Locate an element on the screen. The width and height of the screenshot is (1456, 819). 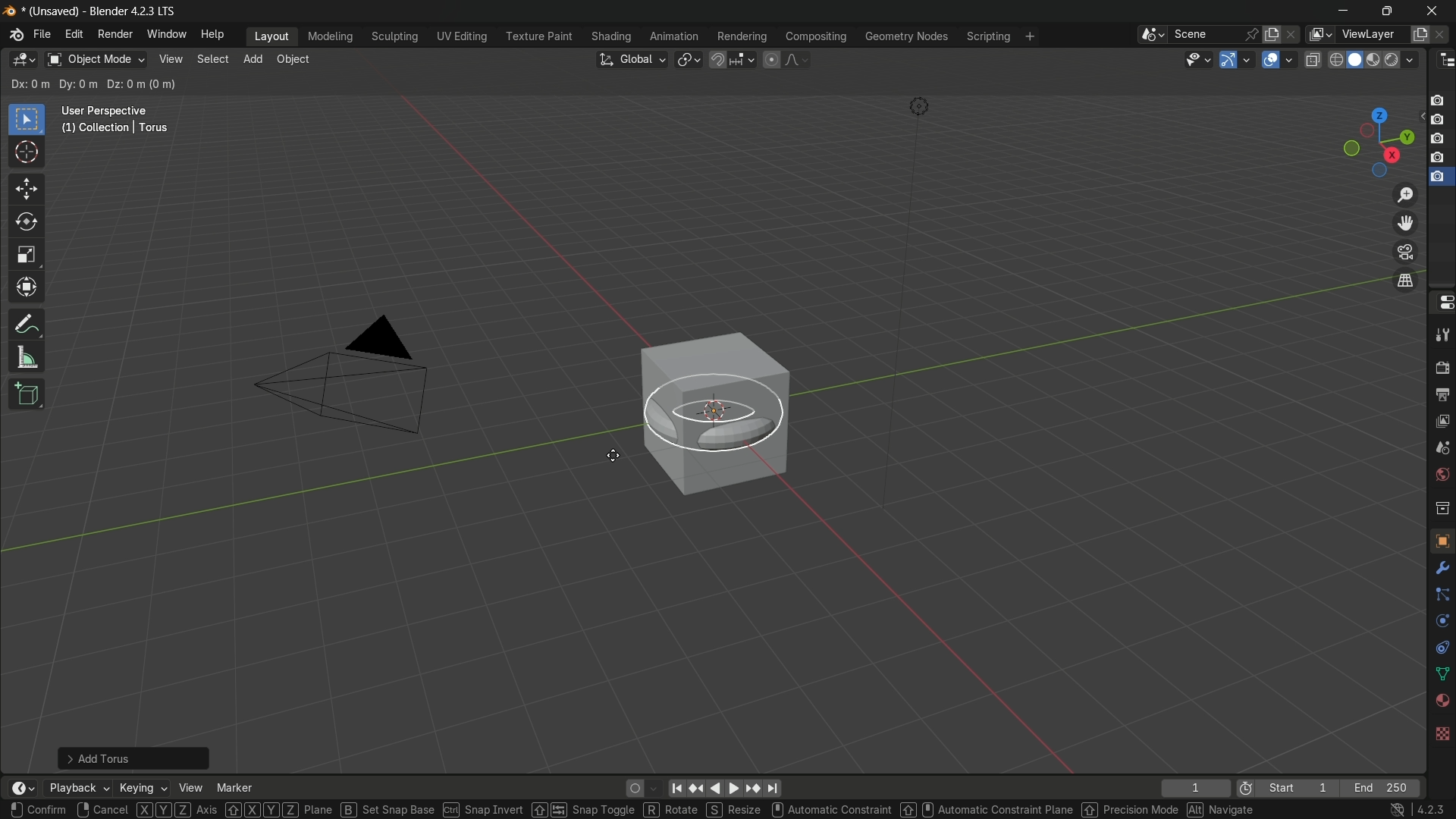
play animation is located at coordinates (725, 788).